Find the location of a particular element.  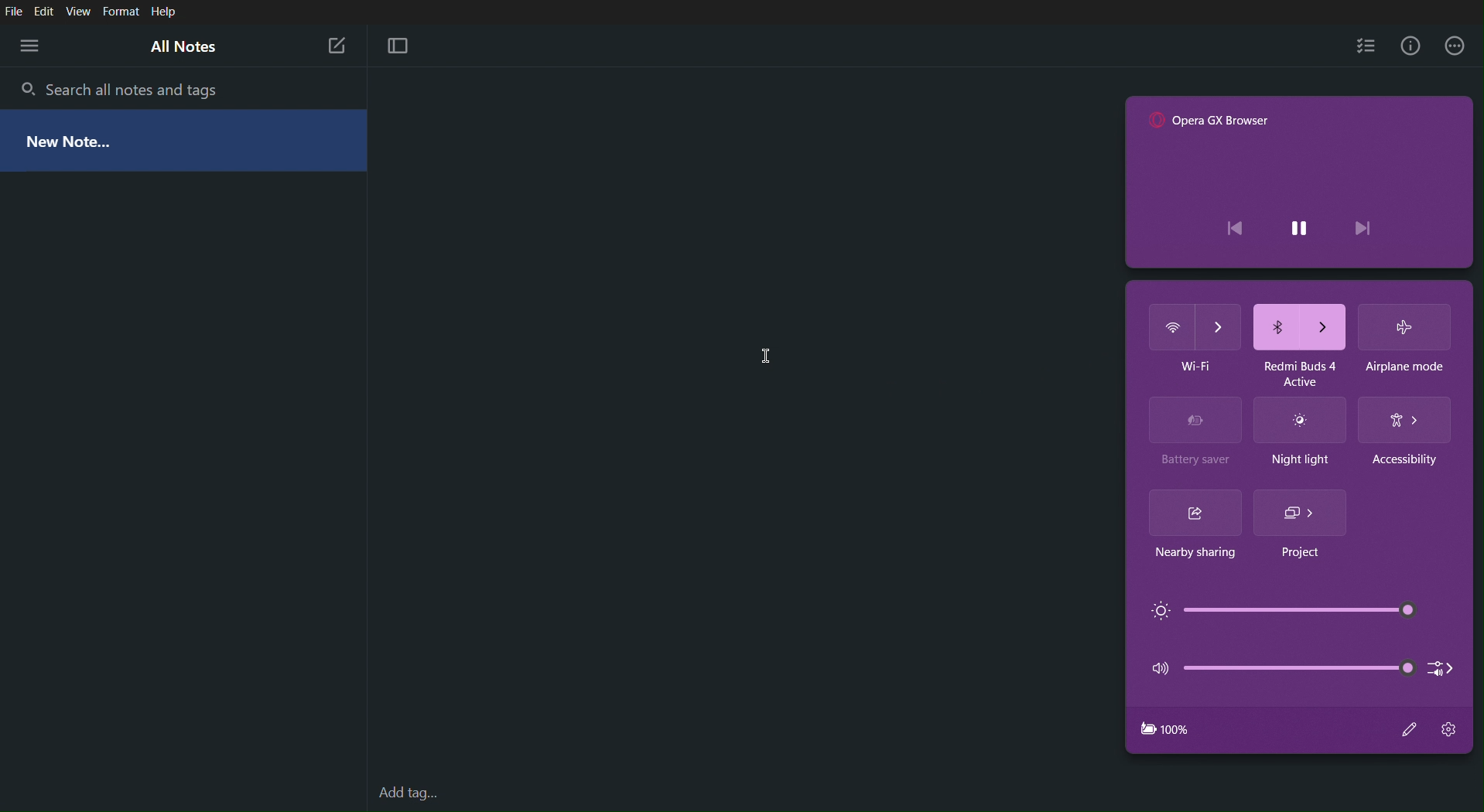

Brightness is located at coordinates (1277, 611).